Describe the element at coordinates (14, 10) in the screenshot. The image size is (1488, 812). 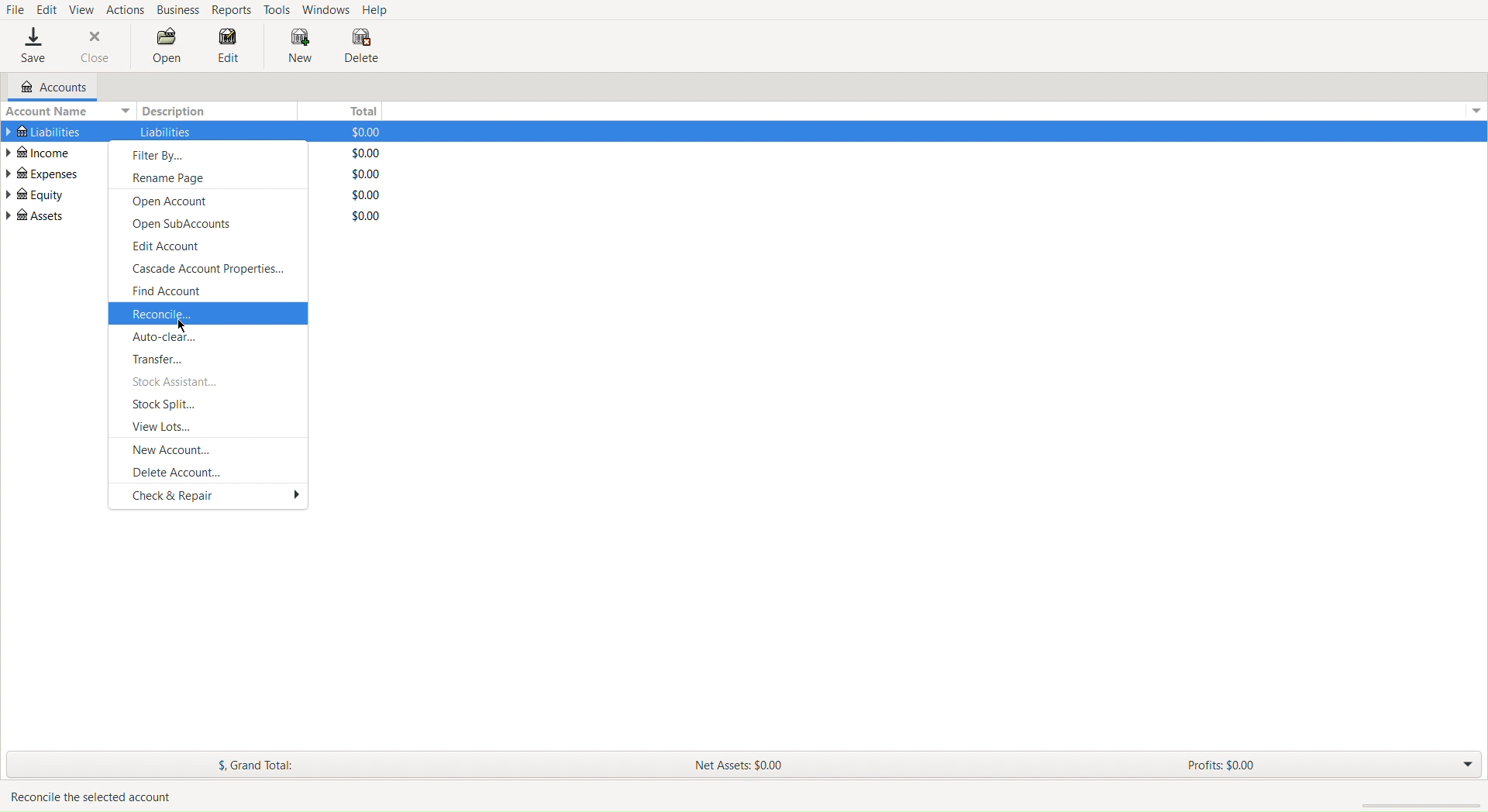
I see `File` at that location.